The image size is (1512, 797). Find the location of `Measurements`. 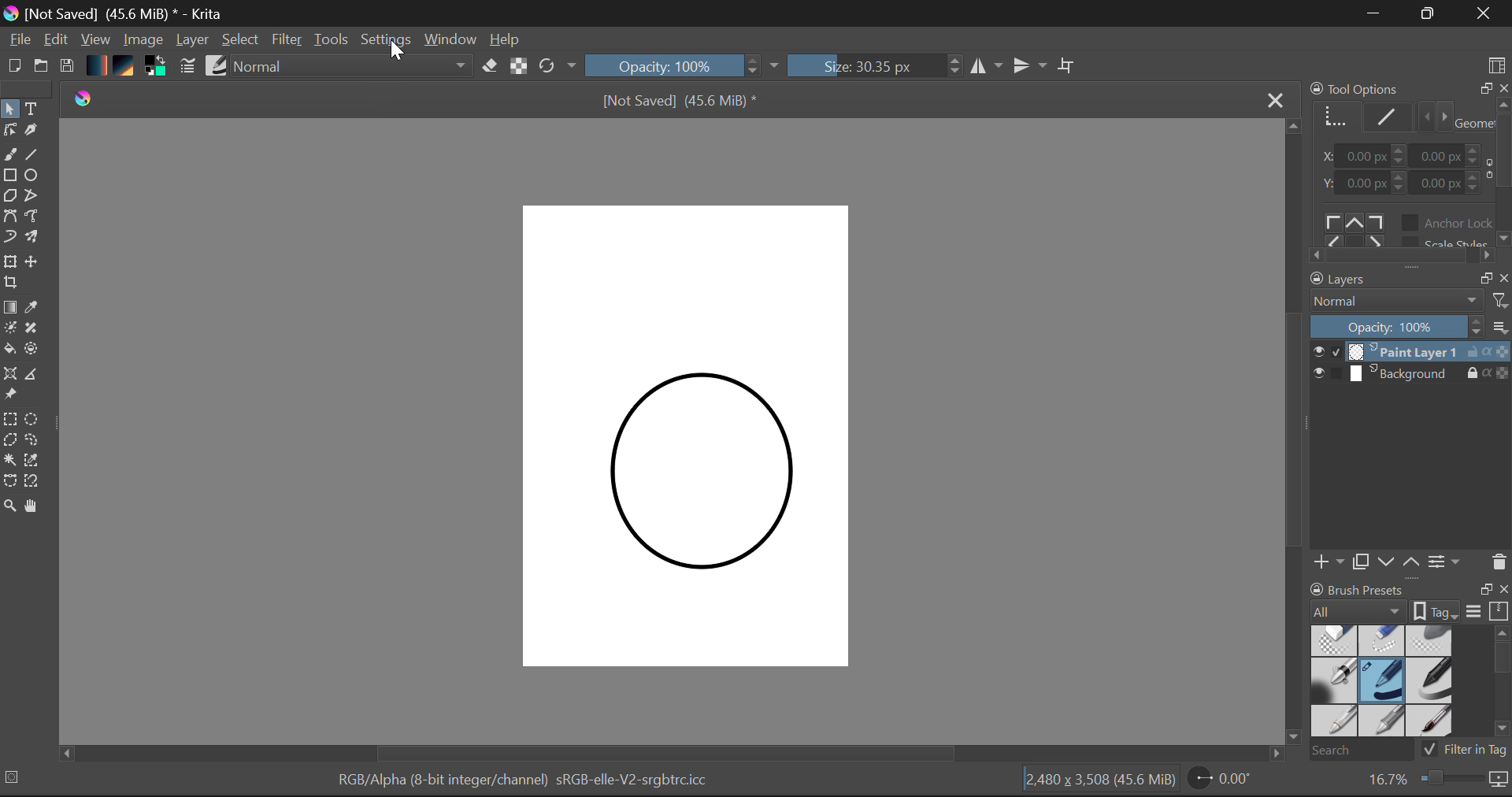

Measurements is located at coordinates (37, 375).